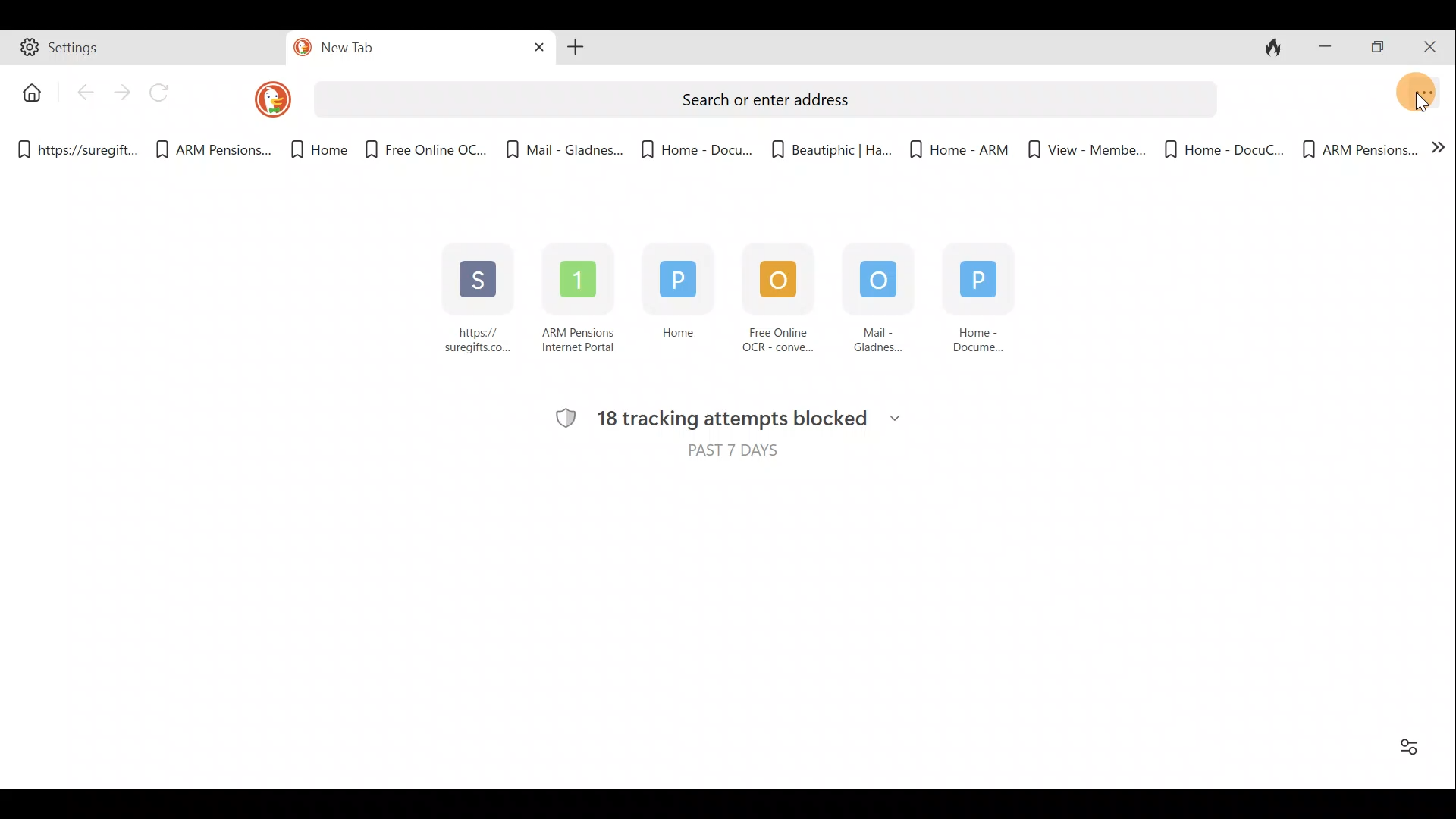 Image resolution: width=1456 pixels, height=819 pixels. Describe the element at coordinates (388, 50) in the screenshot. I see `New tab` at that location.